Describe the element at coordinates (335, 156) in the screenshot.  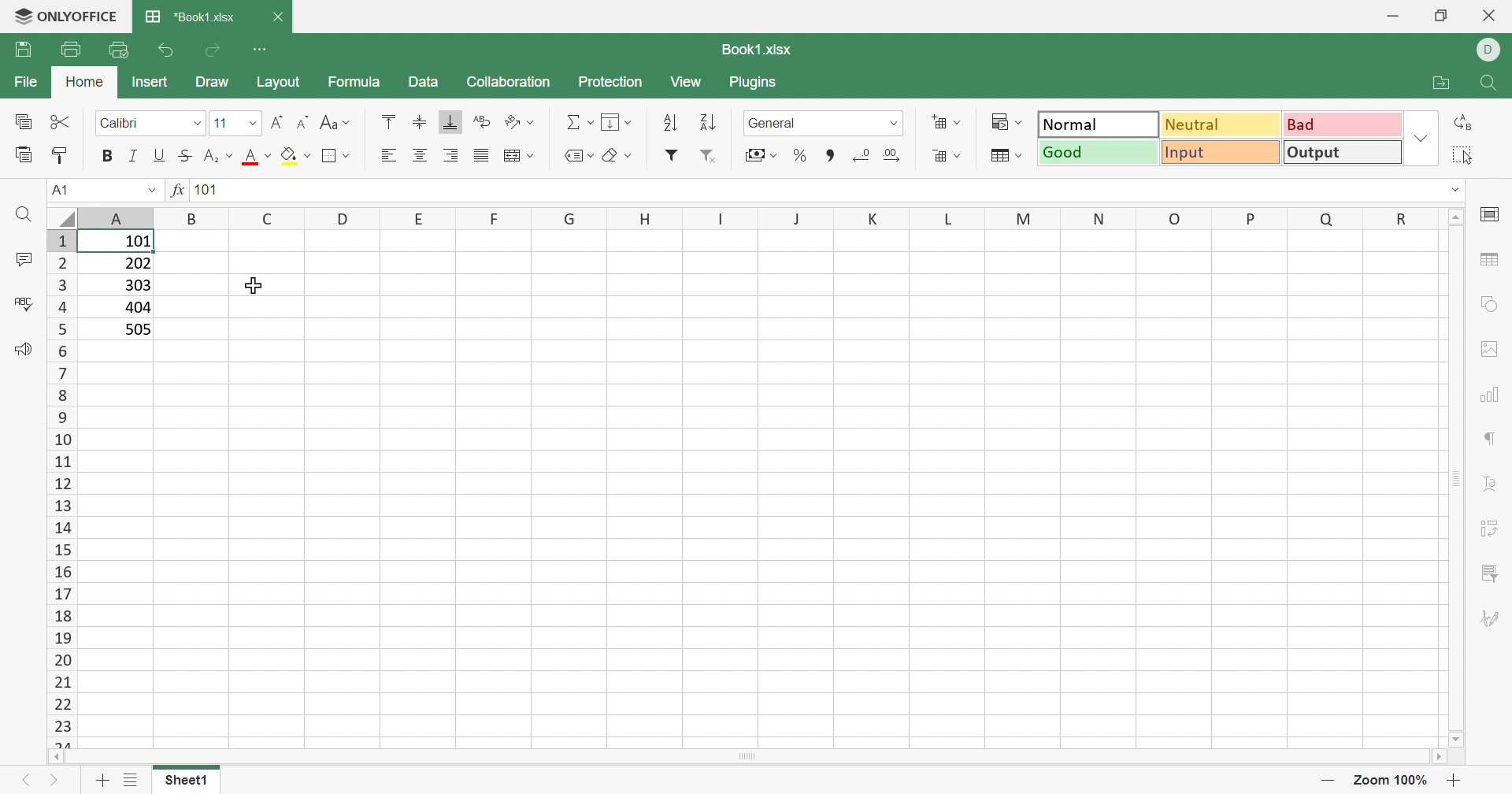
I see `Borders` at that location.